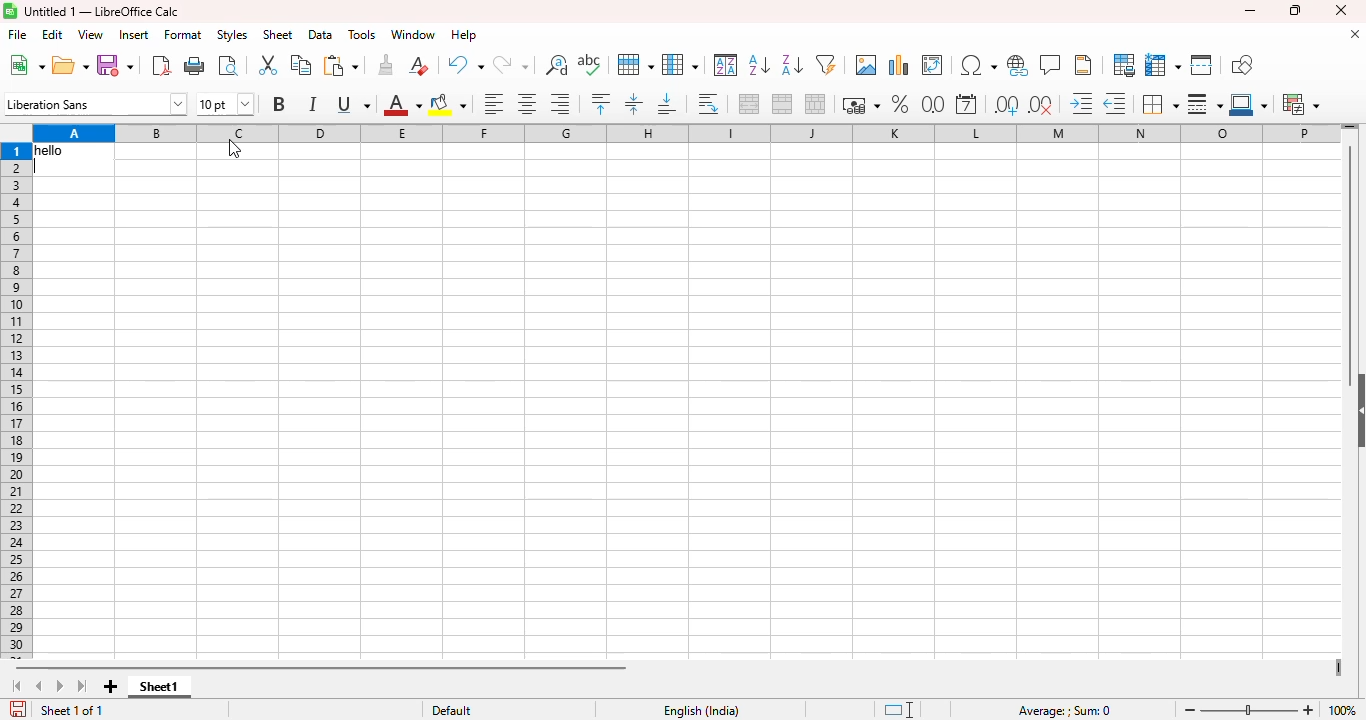 The height and width of the screenshot is (720, 1366). What do you see at coordinates (312, 104) in the screenshot?
I see `italic` at bounding box center [312, 104].